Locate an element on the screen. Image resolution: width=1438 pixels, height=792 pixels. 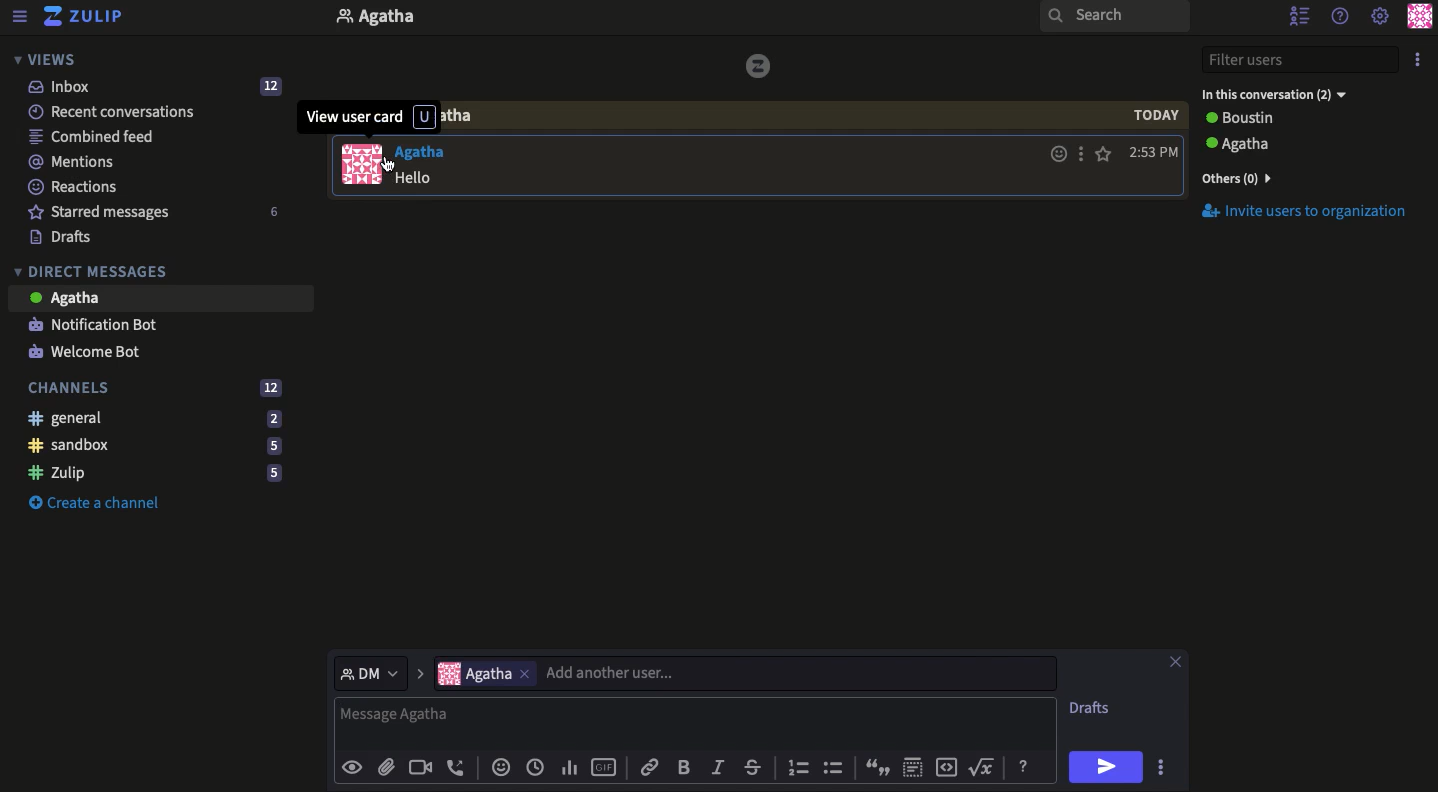
Direct messages is located at coordinates (96, 270).